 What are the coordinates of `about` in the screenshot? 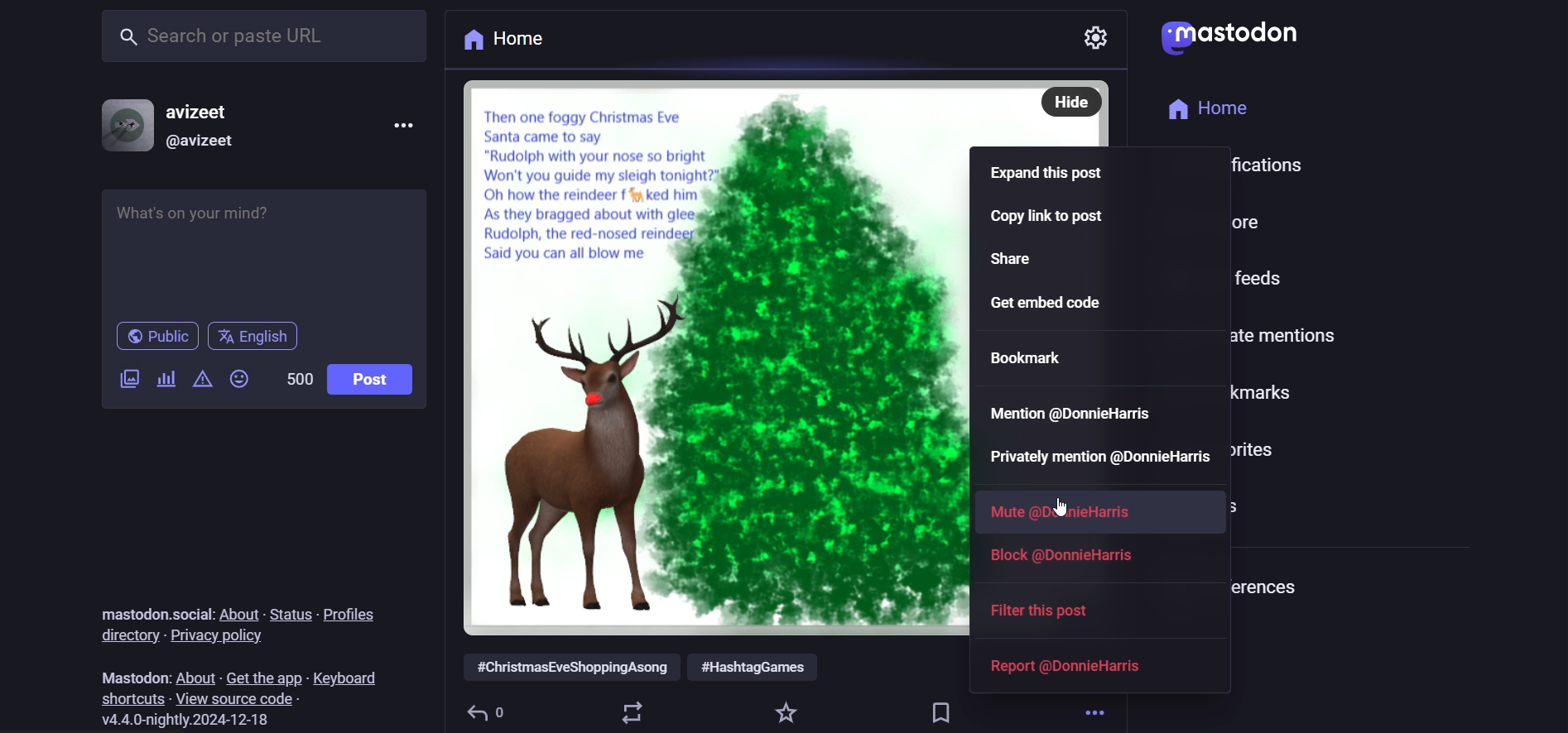 It's located at (194, 677).